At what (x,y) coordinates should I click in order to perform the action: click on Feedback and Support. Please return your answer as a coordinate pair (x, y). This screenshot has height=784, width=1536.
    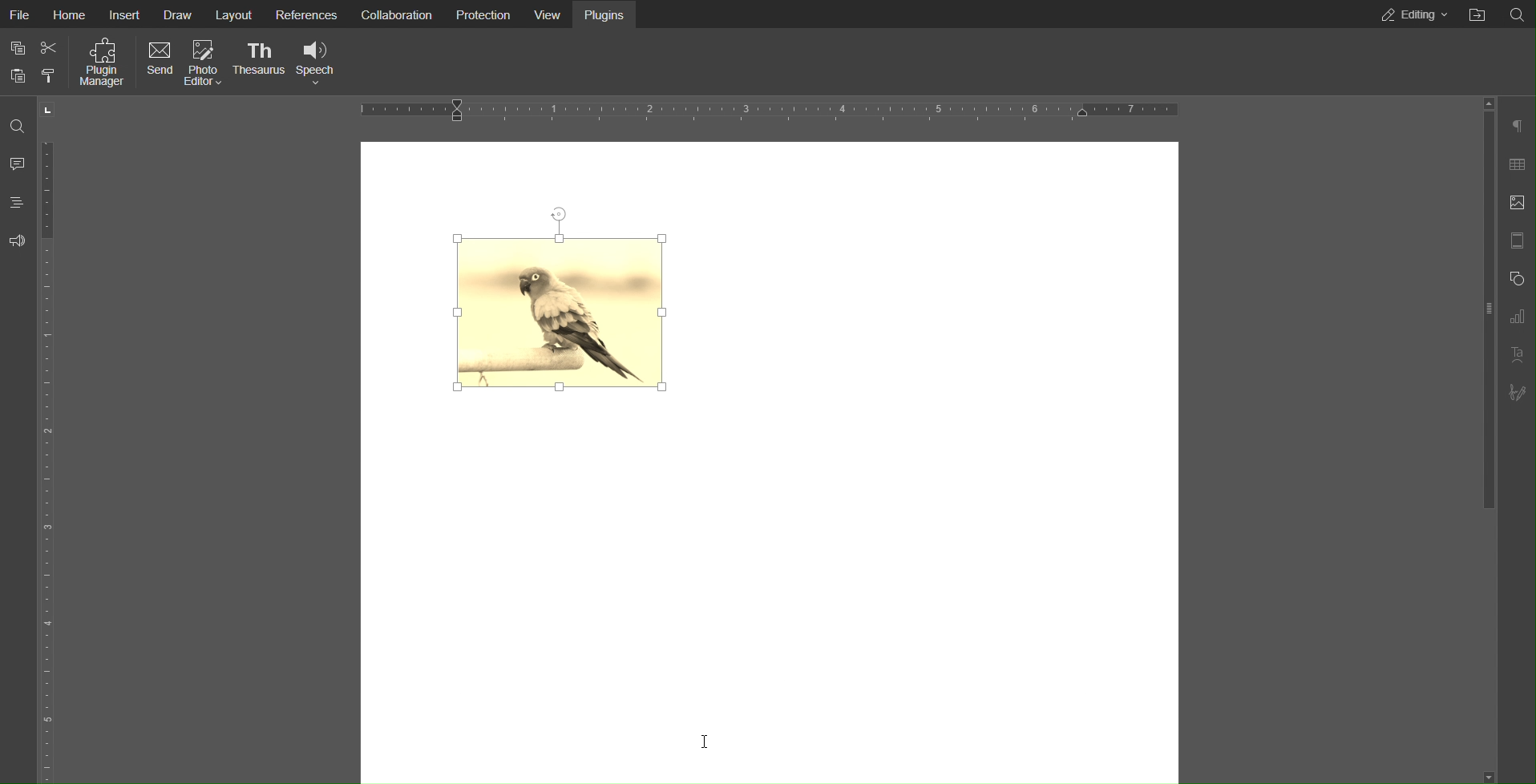
    Looking at the image, I should click on (18, 240).